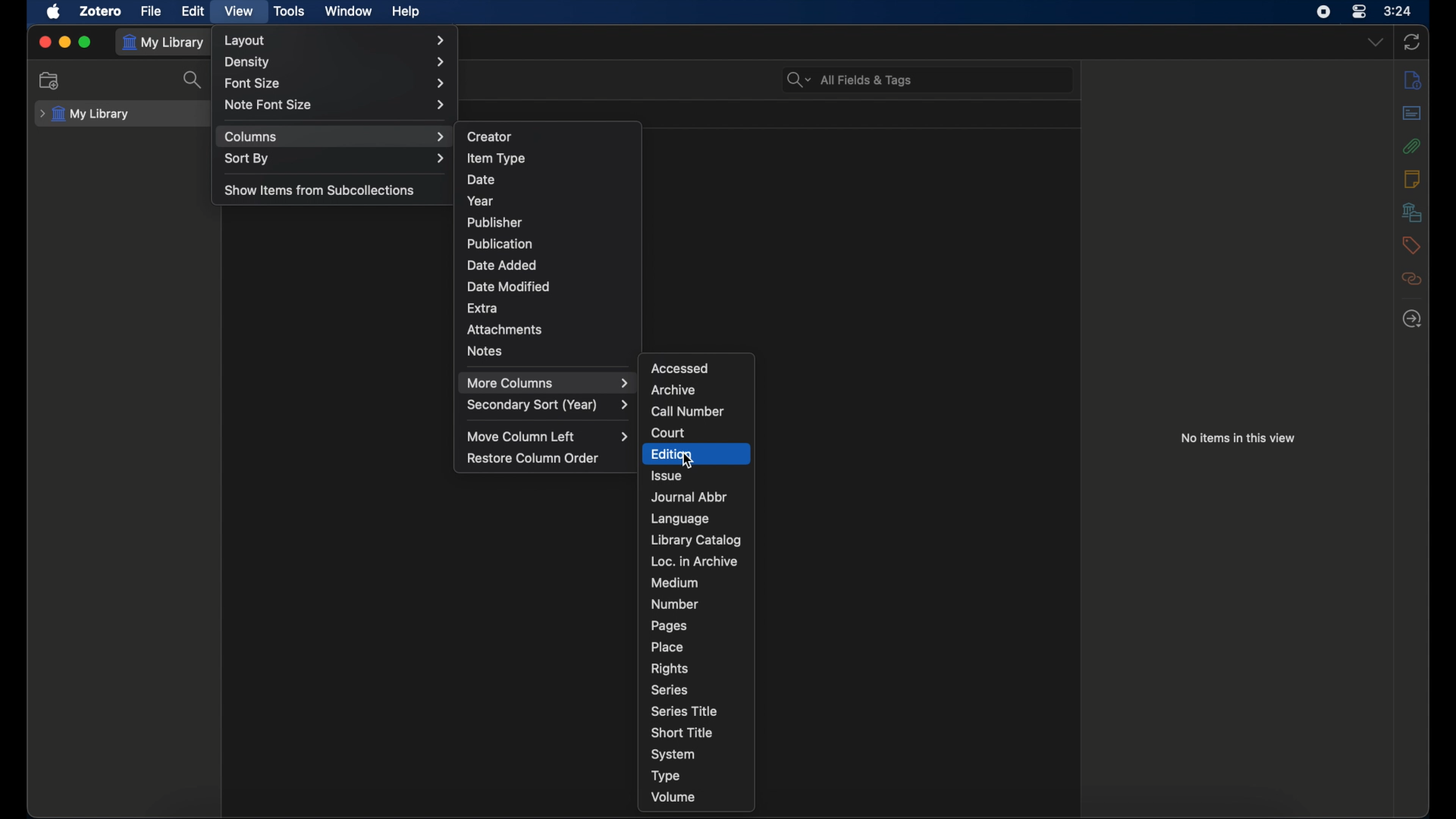  What do you see at coordinates (690, 497) in the screenshot?
I see `journal abbr` at bounding box center [690, 497].